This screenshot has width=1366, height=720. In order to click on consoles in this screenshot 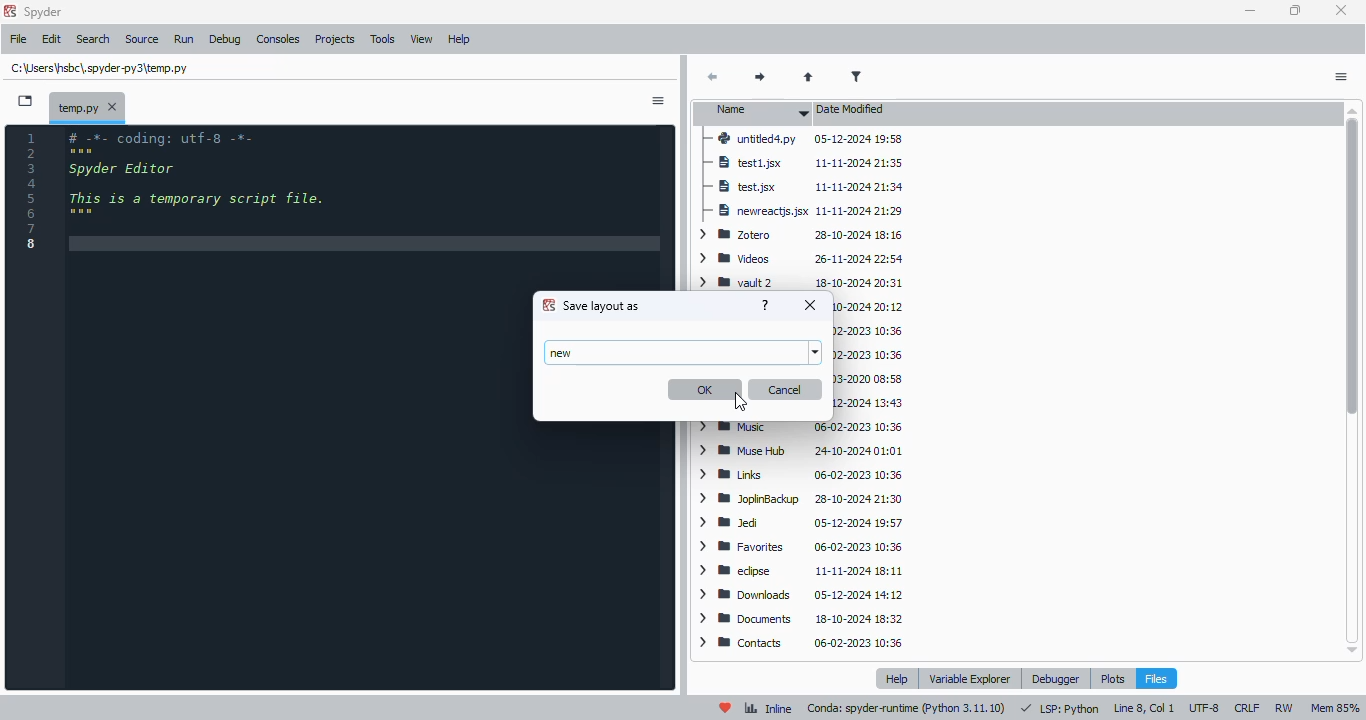, I will do `click(279, 39)`.